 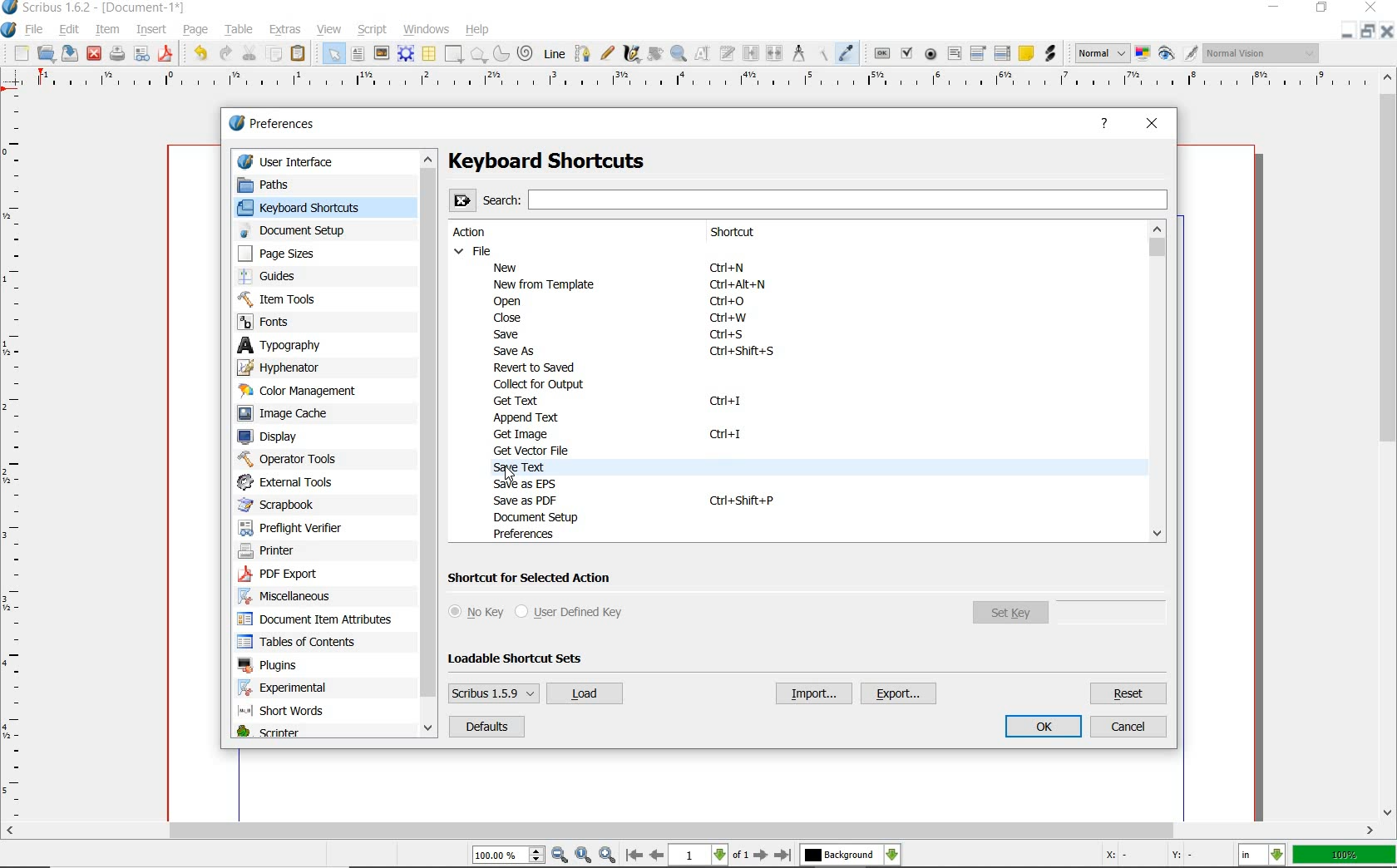 I want to click on pdf text field, so click(x=954, y=56).